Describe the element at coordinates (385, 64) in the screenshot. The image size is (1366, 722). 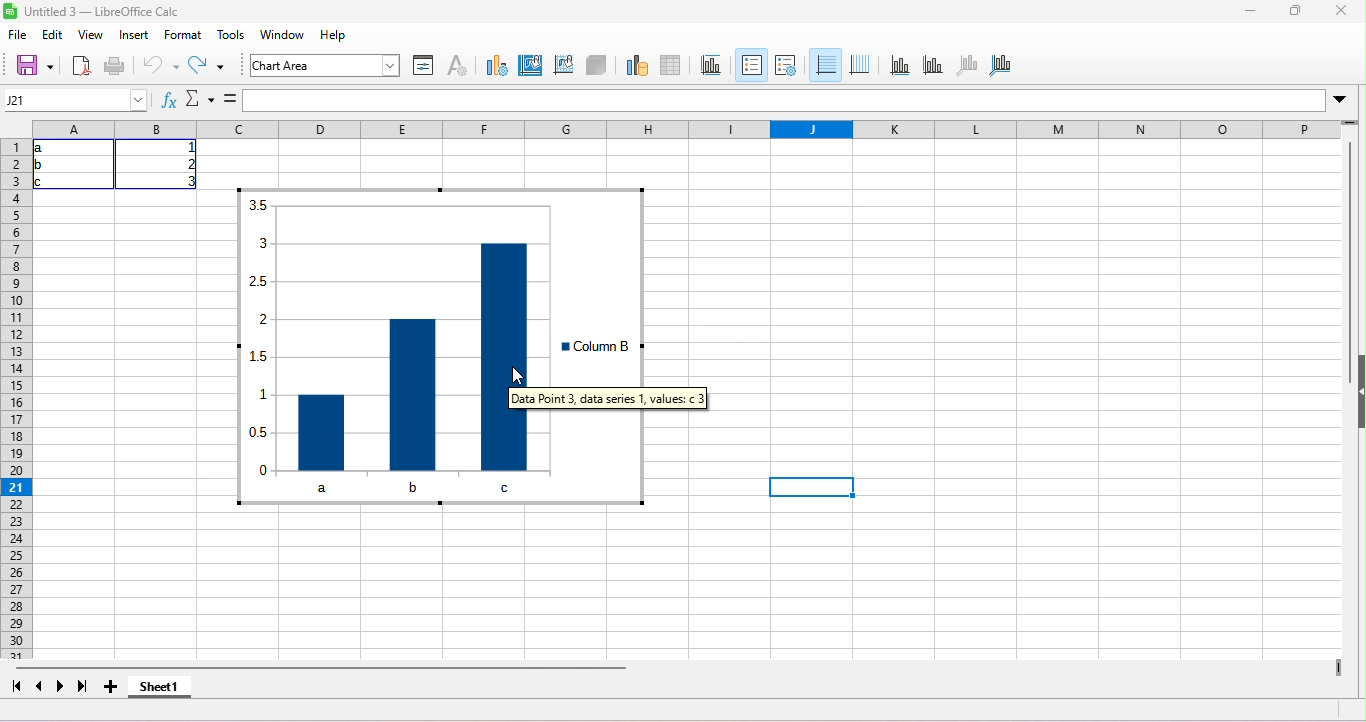
I see `select chart element` at that location.